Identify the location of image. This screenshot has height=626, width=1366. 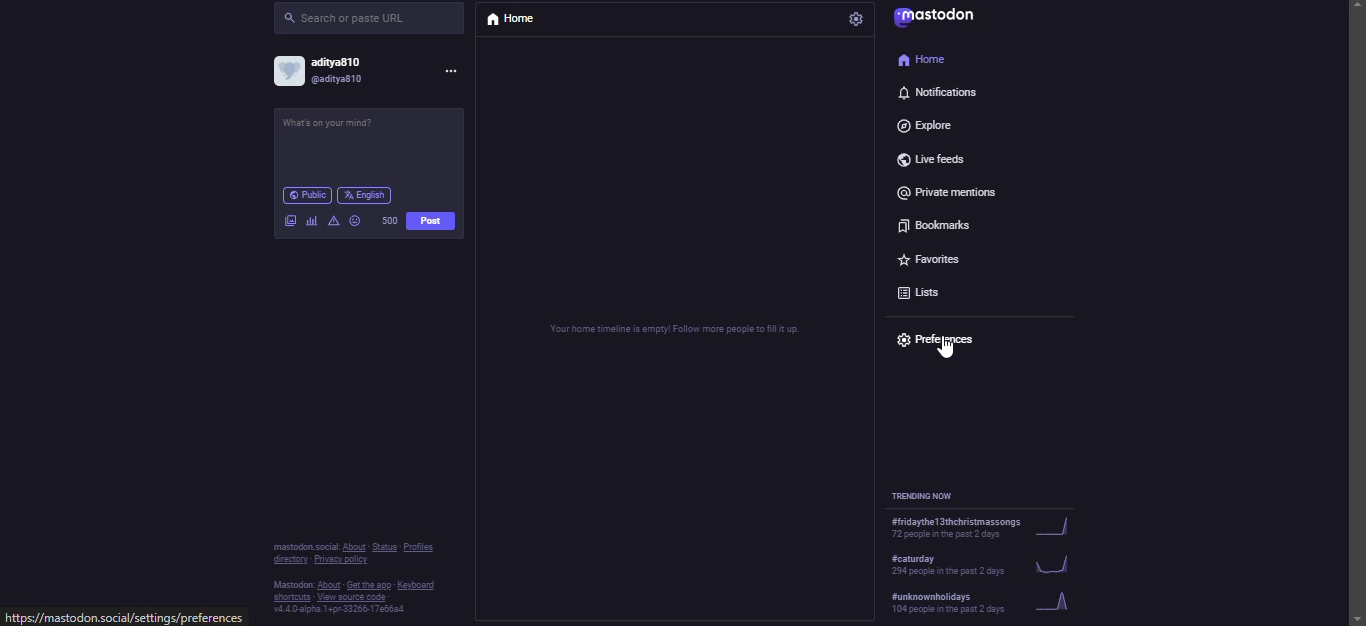
(290, 219).